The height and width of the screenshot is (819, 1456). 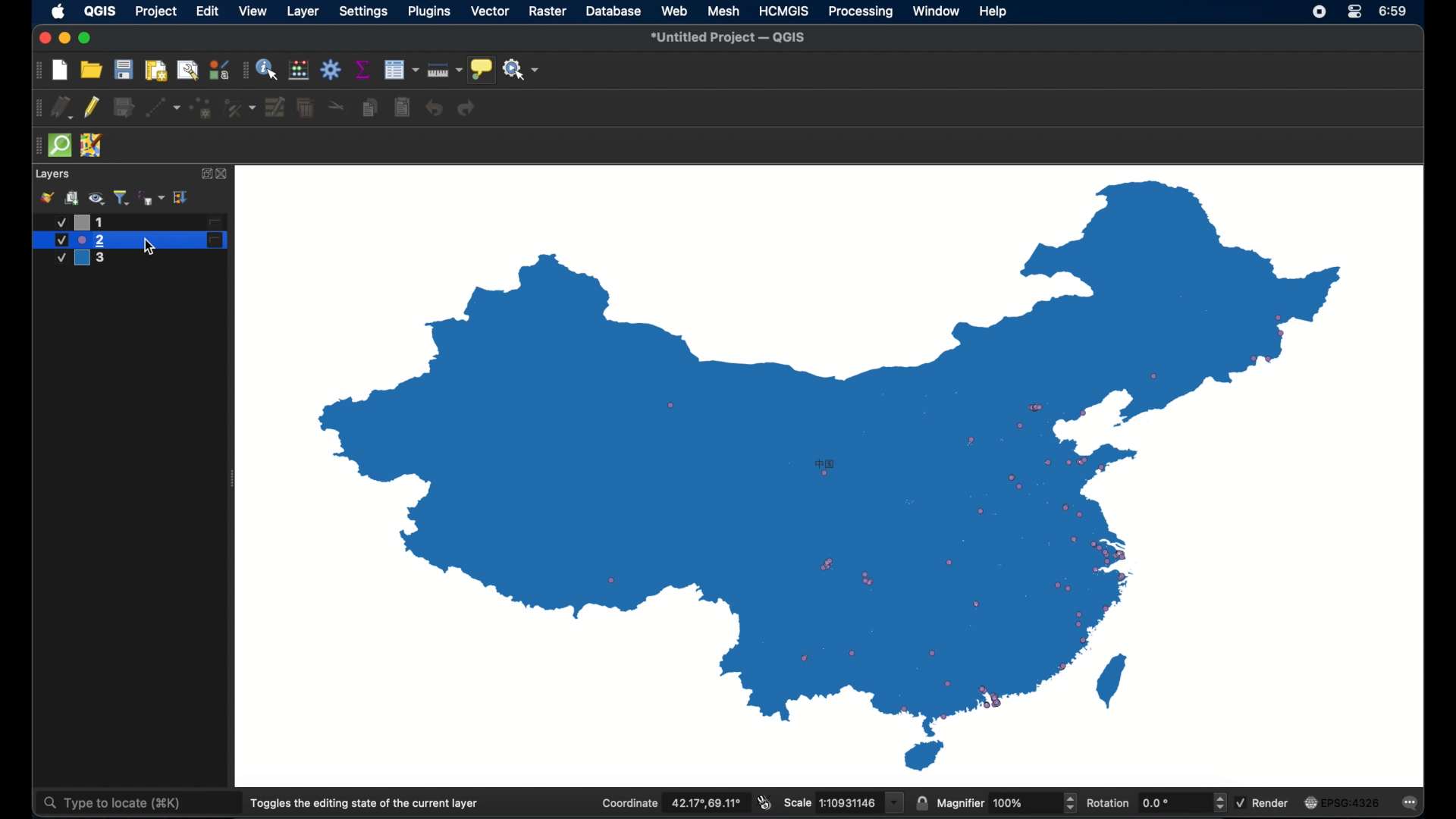 I want to click on current edits, so click(x=61, y=107).